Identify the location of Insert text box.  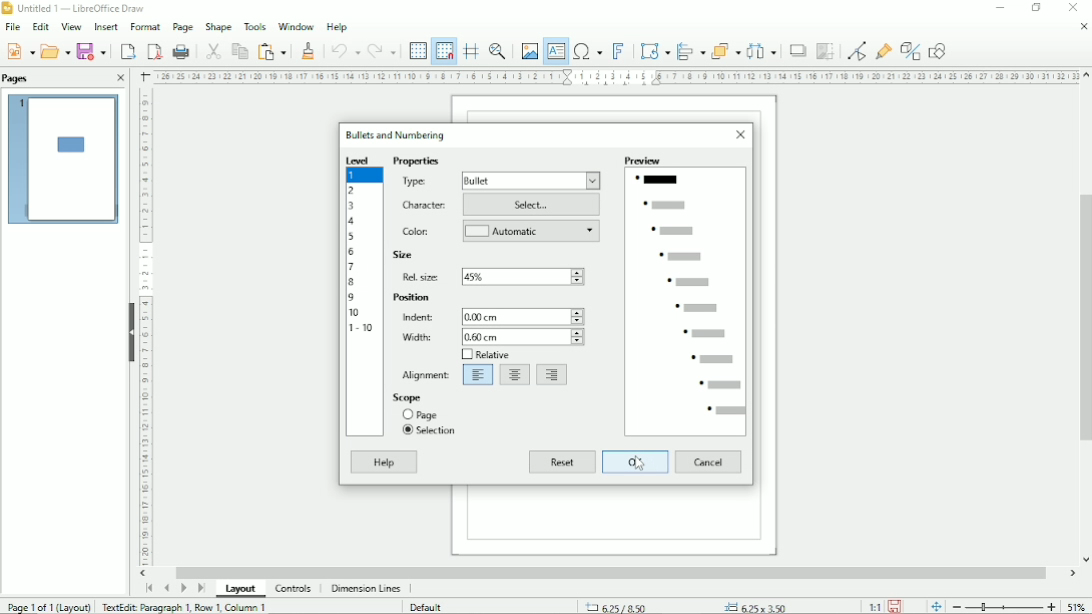
(556, 52).